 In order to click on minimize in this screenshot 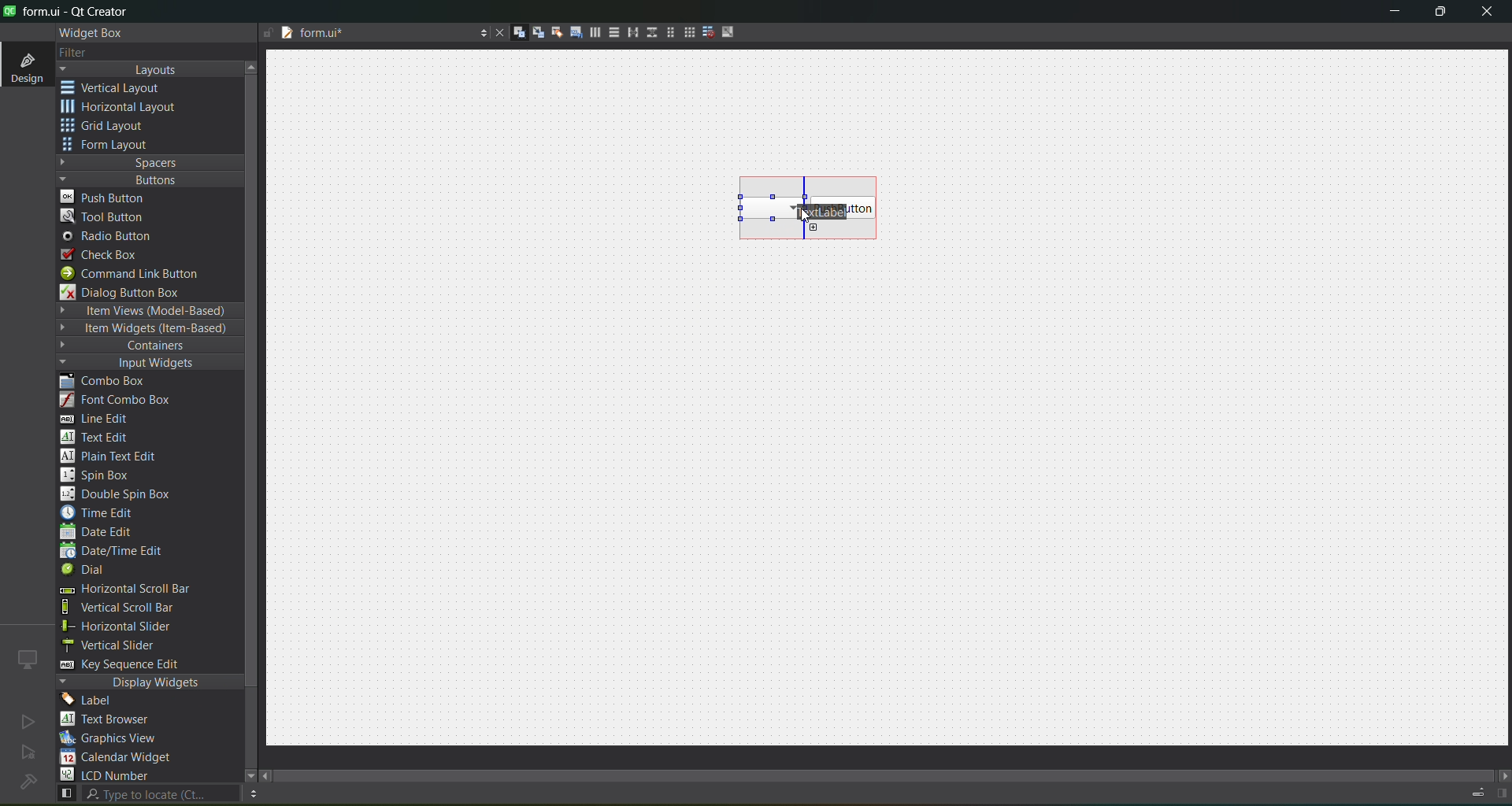, I will do `click(1395, 14)`.